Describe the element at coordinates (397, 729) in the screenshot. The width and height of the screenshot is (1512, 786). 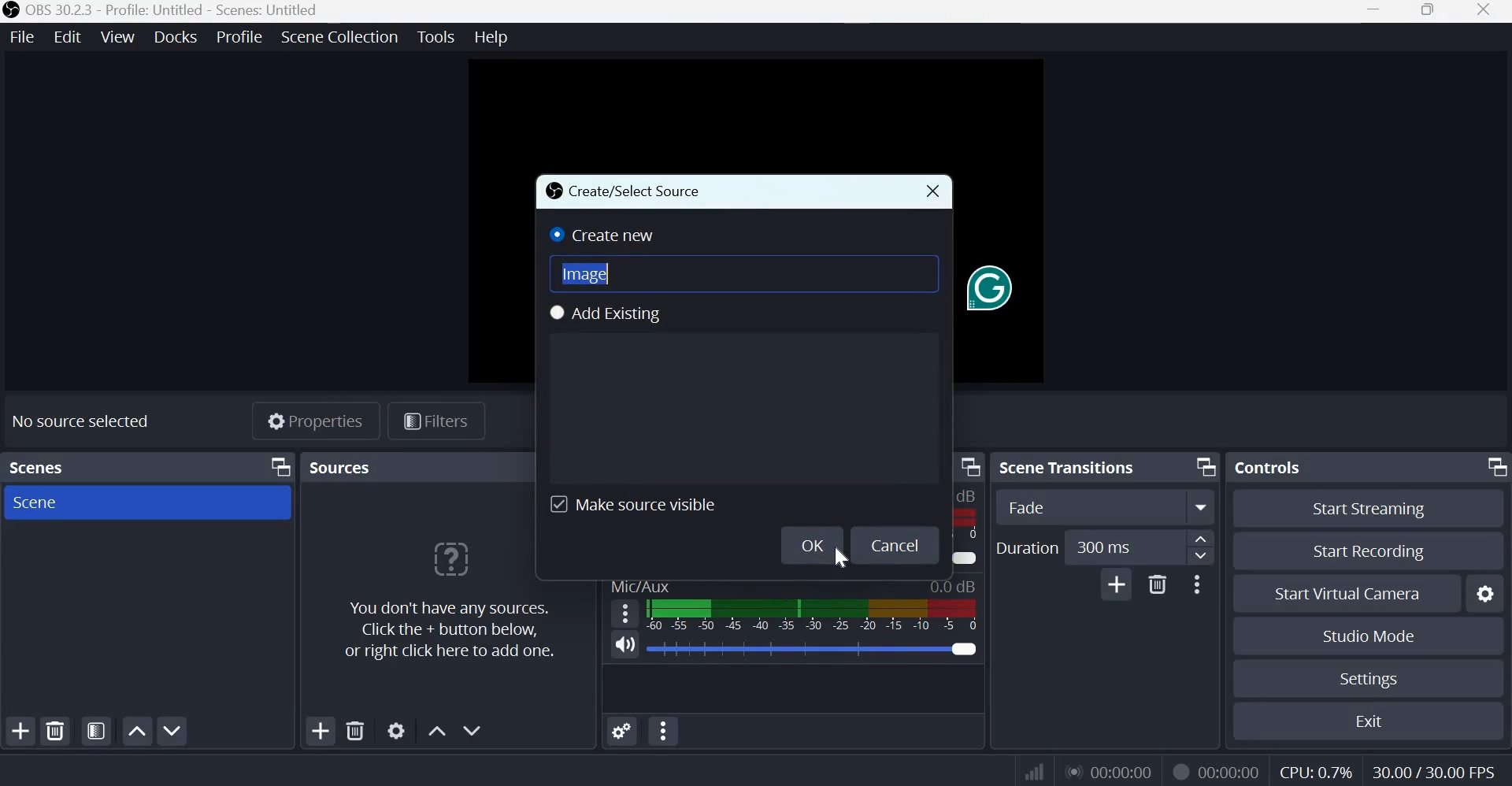
I see `Open source properties` at that location.